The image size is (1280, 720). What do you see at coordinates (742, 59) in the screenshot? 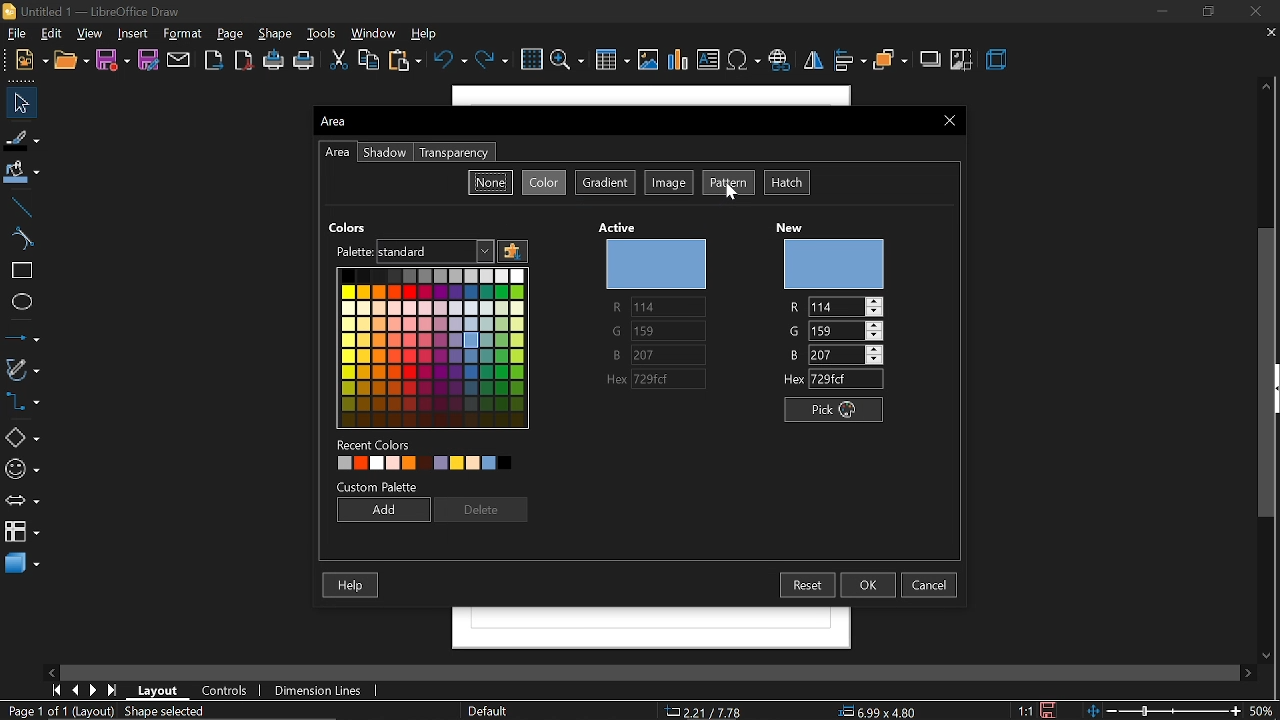
I see `insert symbol` at bounding box center [742, 59].